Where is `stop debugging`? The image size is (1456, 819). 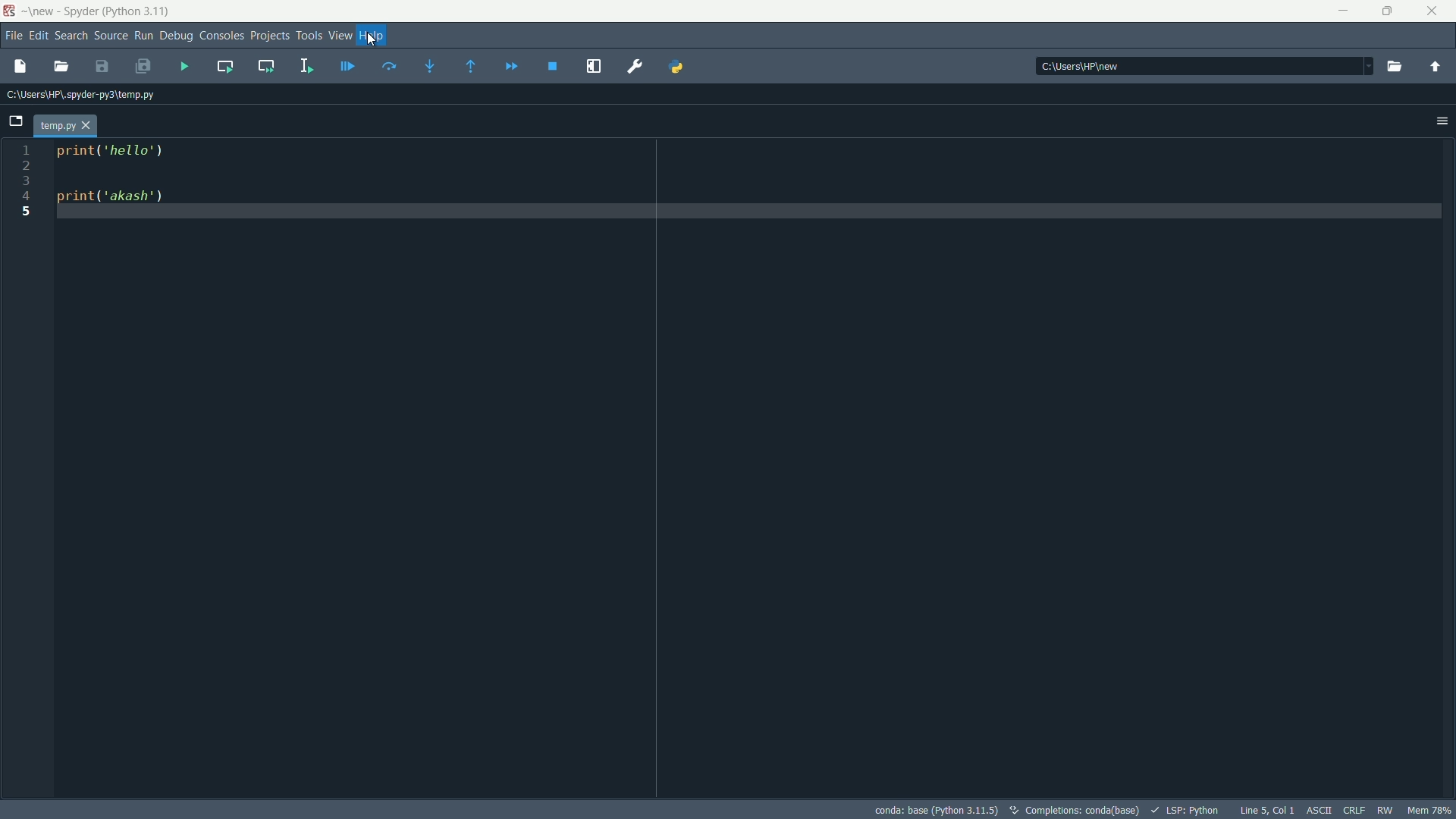
stop debugging is located at coordinates (554, 66).